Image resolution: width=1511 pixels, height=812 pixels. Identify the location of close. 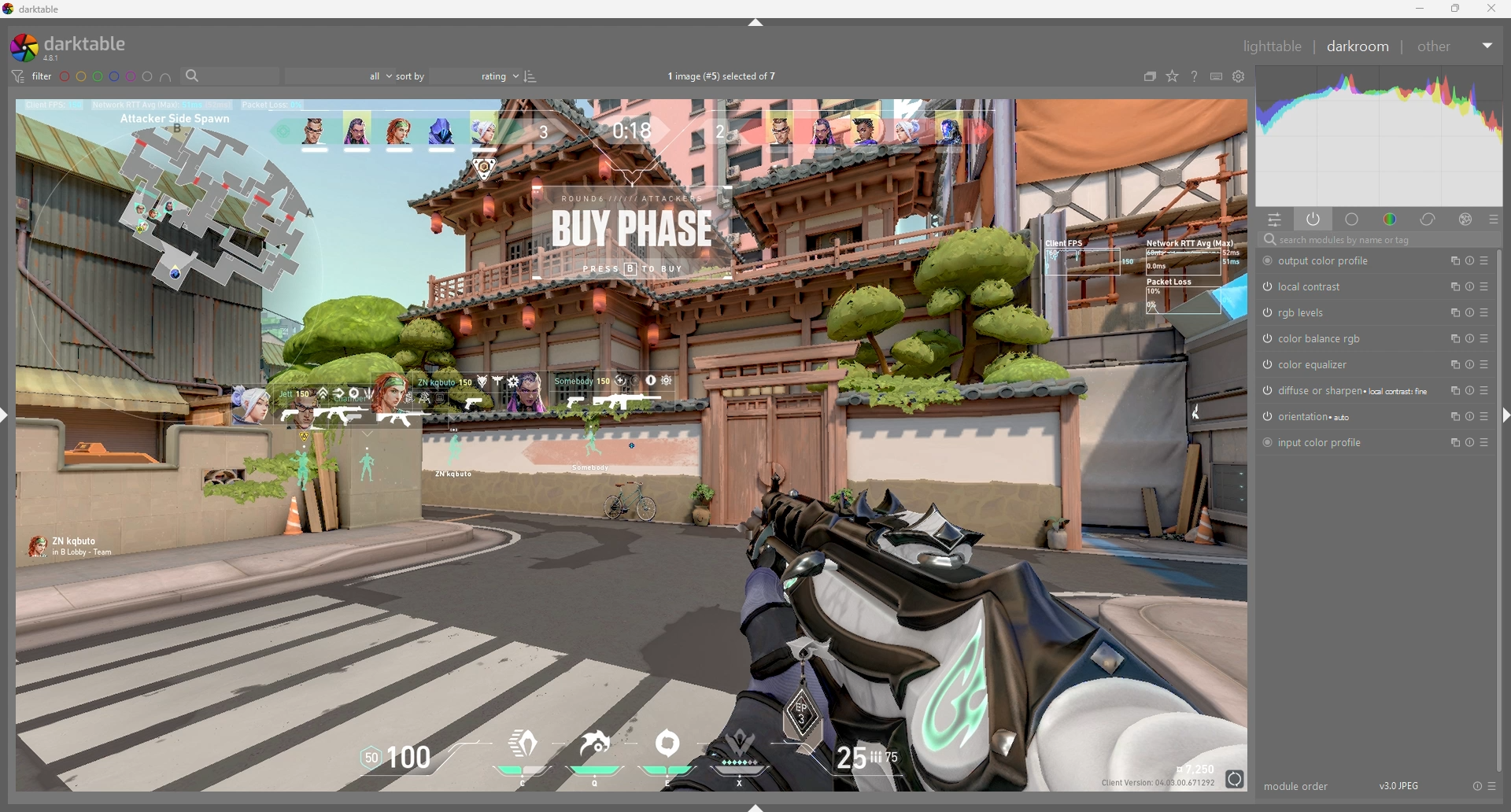
(1494, 7).